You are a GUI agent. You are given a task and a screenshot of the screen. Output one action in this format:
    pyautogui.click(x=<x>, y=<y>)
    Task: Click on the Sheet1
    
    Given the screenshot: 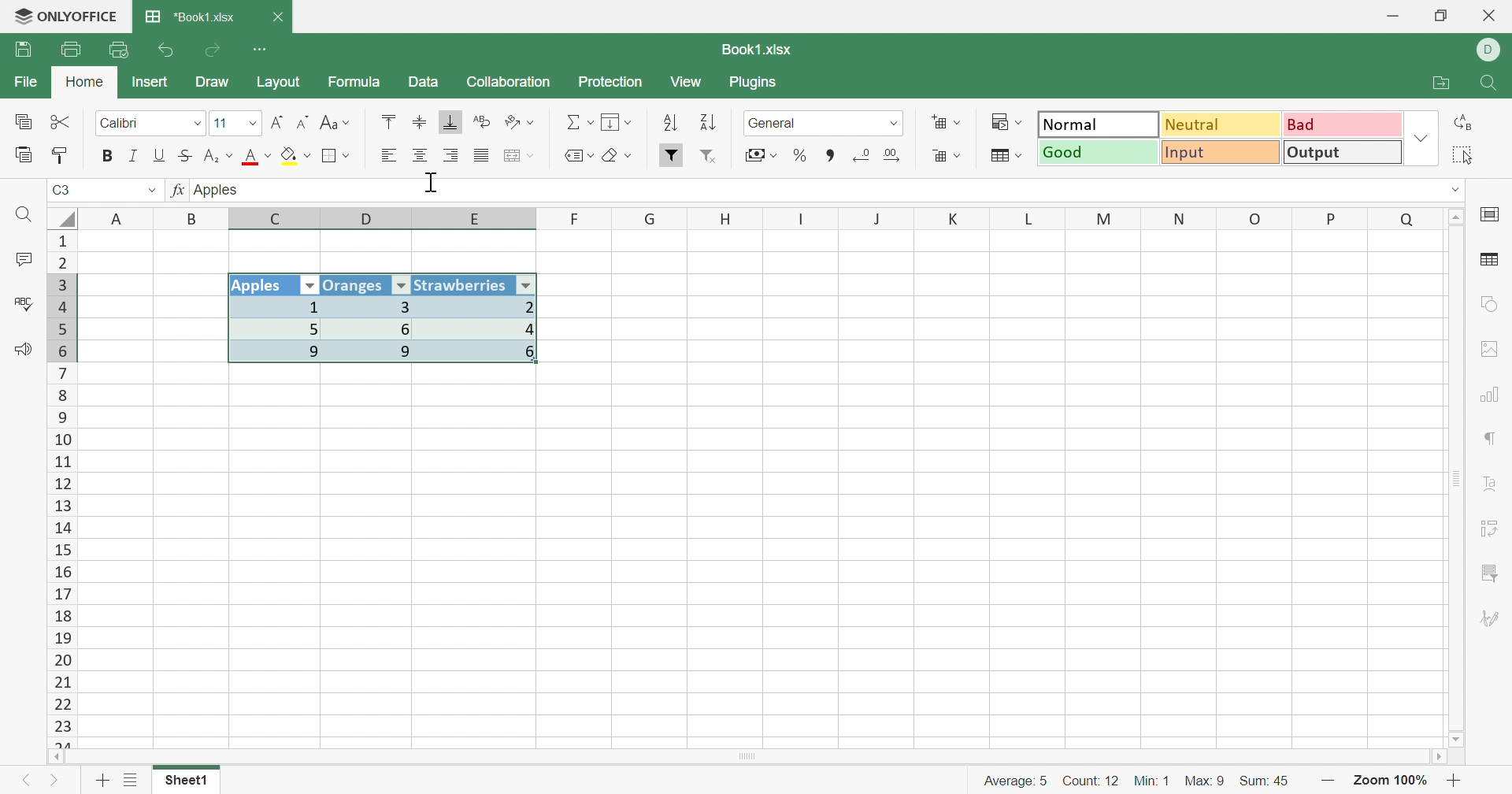 What is the action you would take?
    pyautogui.click(x=186, y=784)
    